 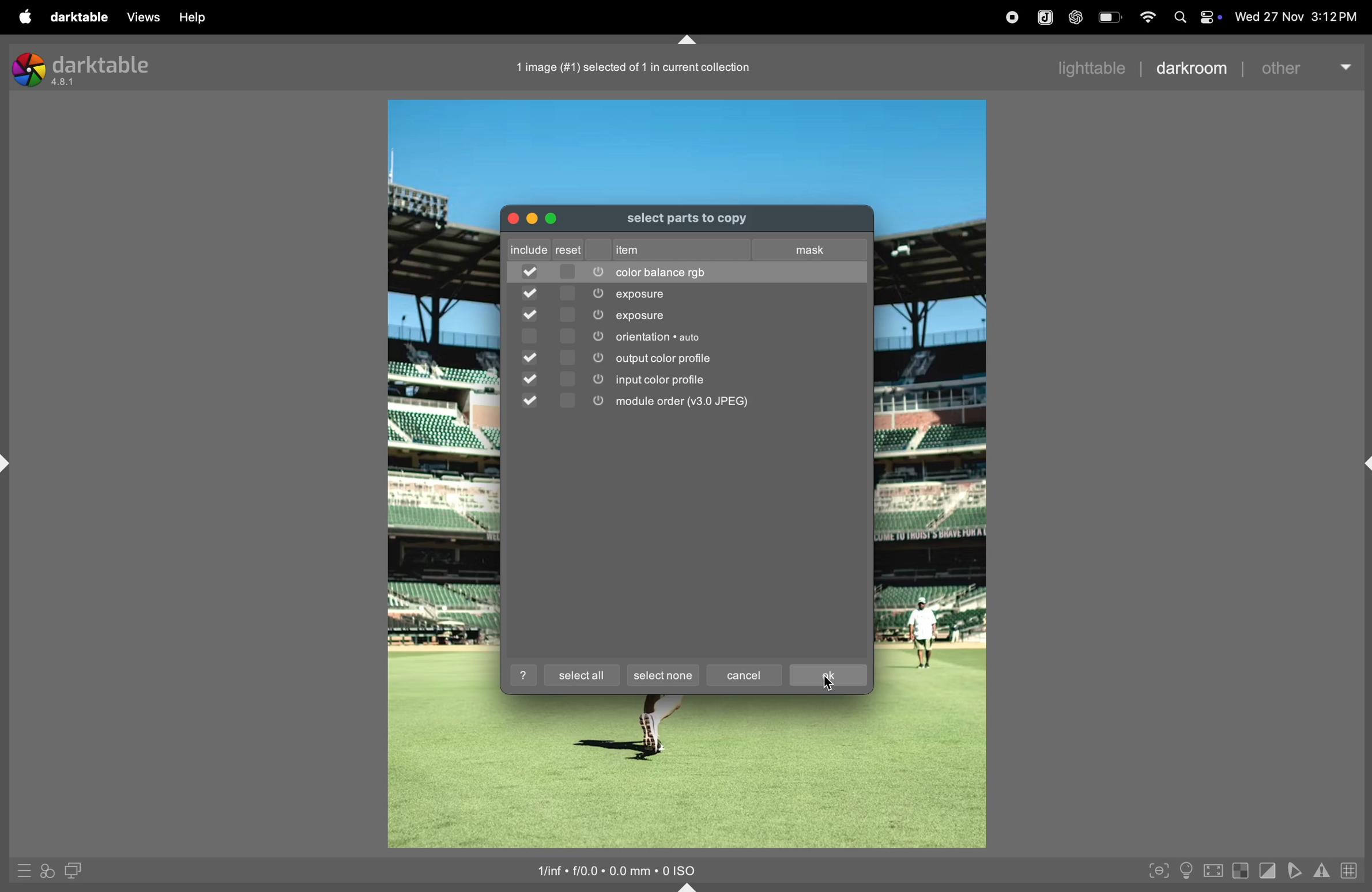 I want to click on exposure, so click(x=710, y=316).